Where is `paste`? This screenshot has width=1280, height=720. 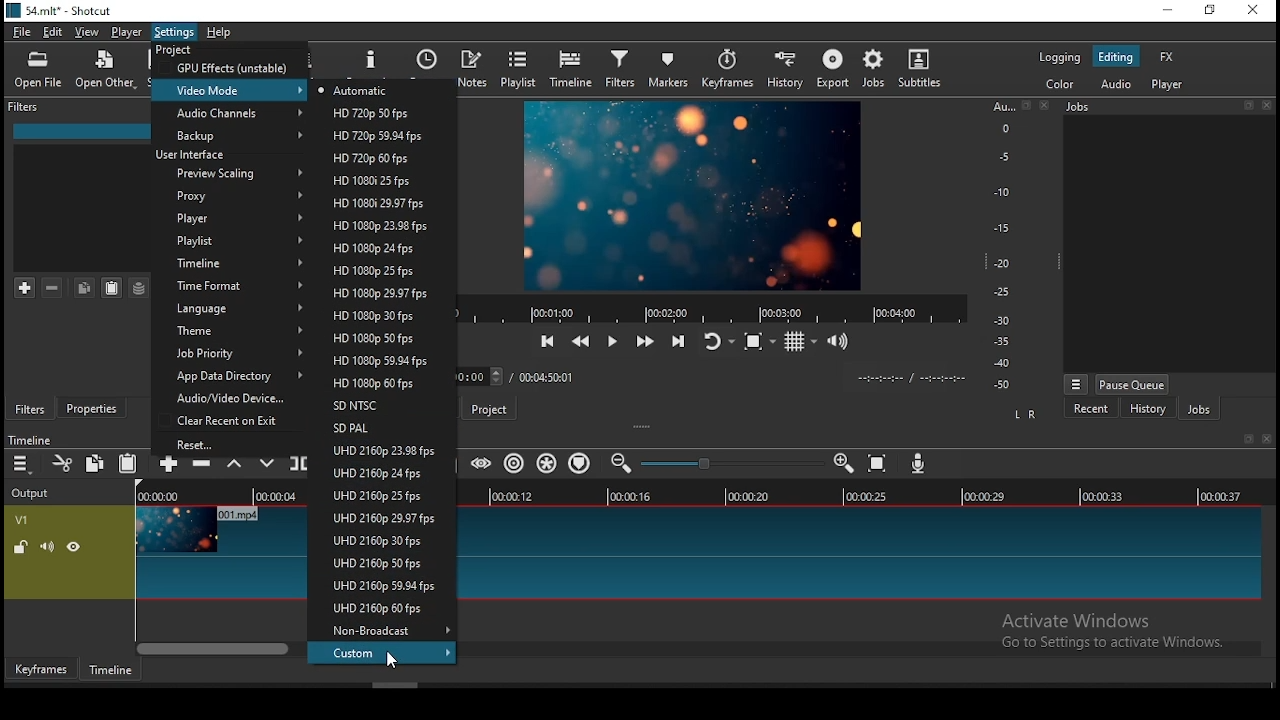 paste is located at coordinates (132, 463).